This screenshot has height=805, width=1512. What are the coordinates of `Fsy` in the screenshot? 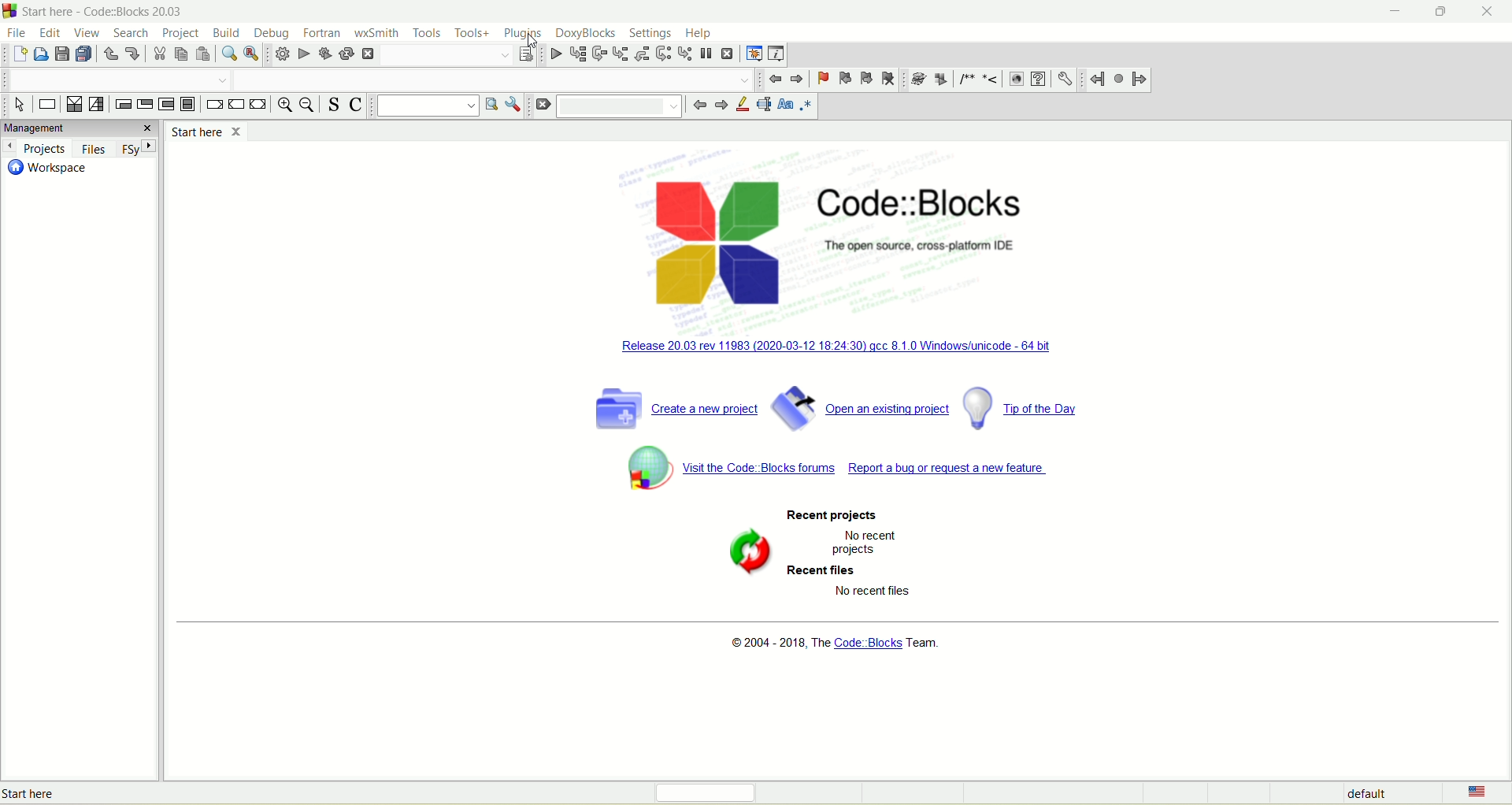 It's located at (136, 148).